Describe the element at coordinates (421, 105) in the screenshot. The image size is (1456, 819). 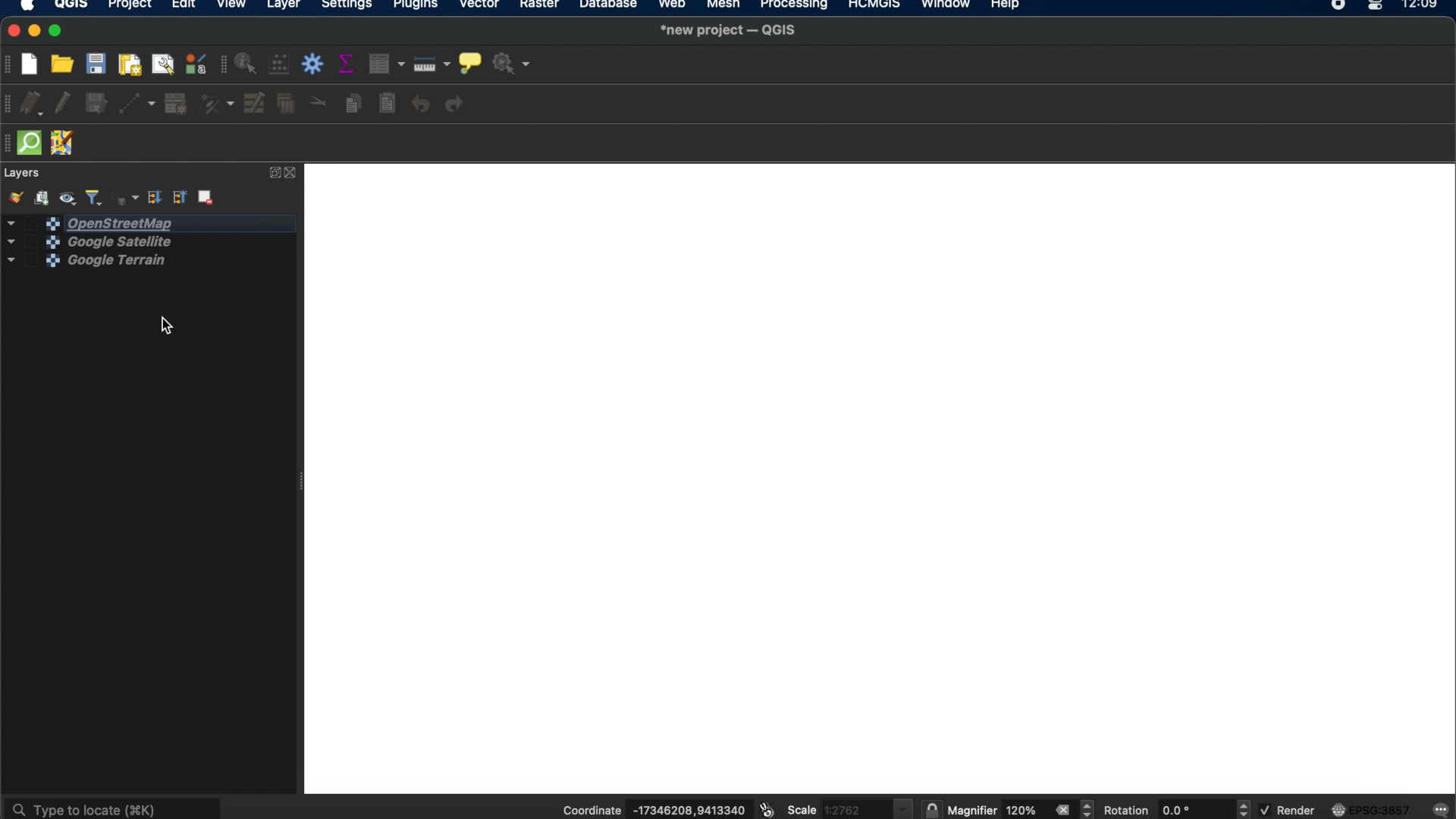
I see `undo` at that location.